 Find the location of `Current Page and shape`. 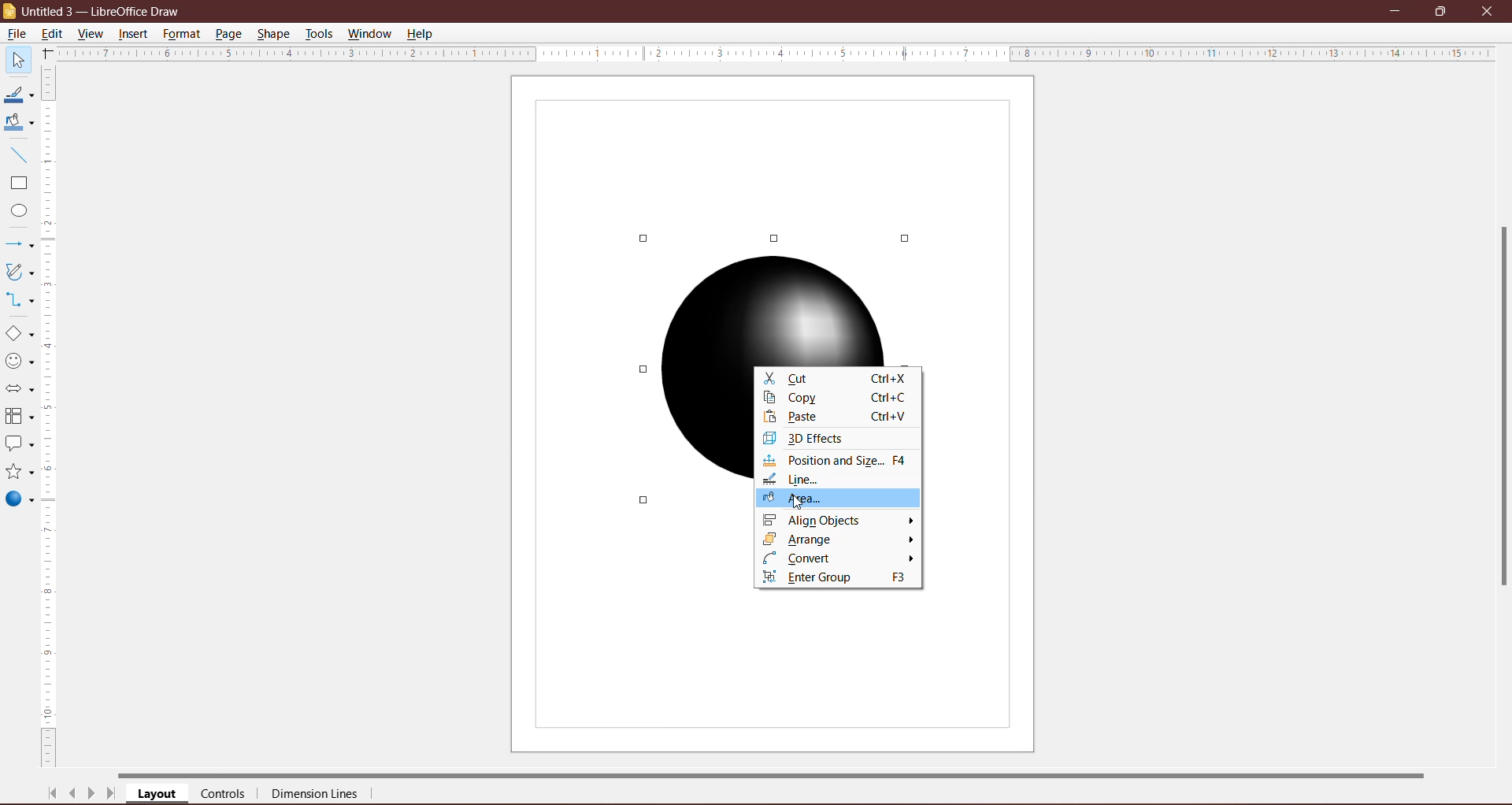

Current Page and shape is located at coordinates (773, 213).